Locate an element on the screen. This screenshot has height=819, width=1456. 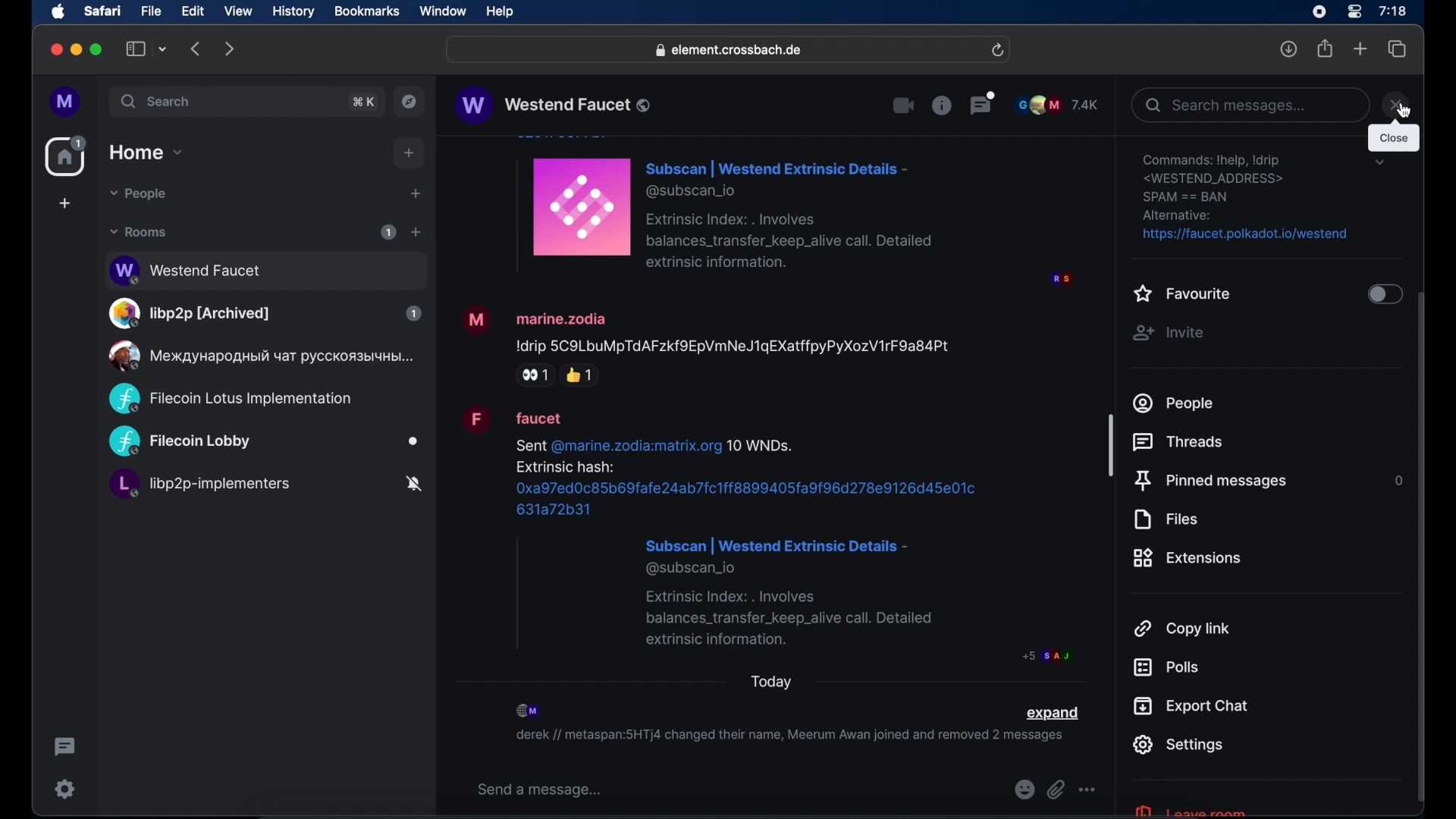
explore public rooms is located at coordinates (409, 102).